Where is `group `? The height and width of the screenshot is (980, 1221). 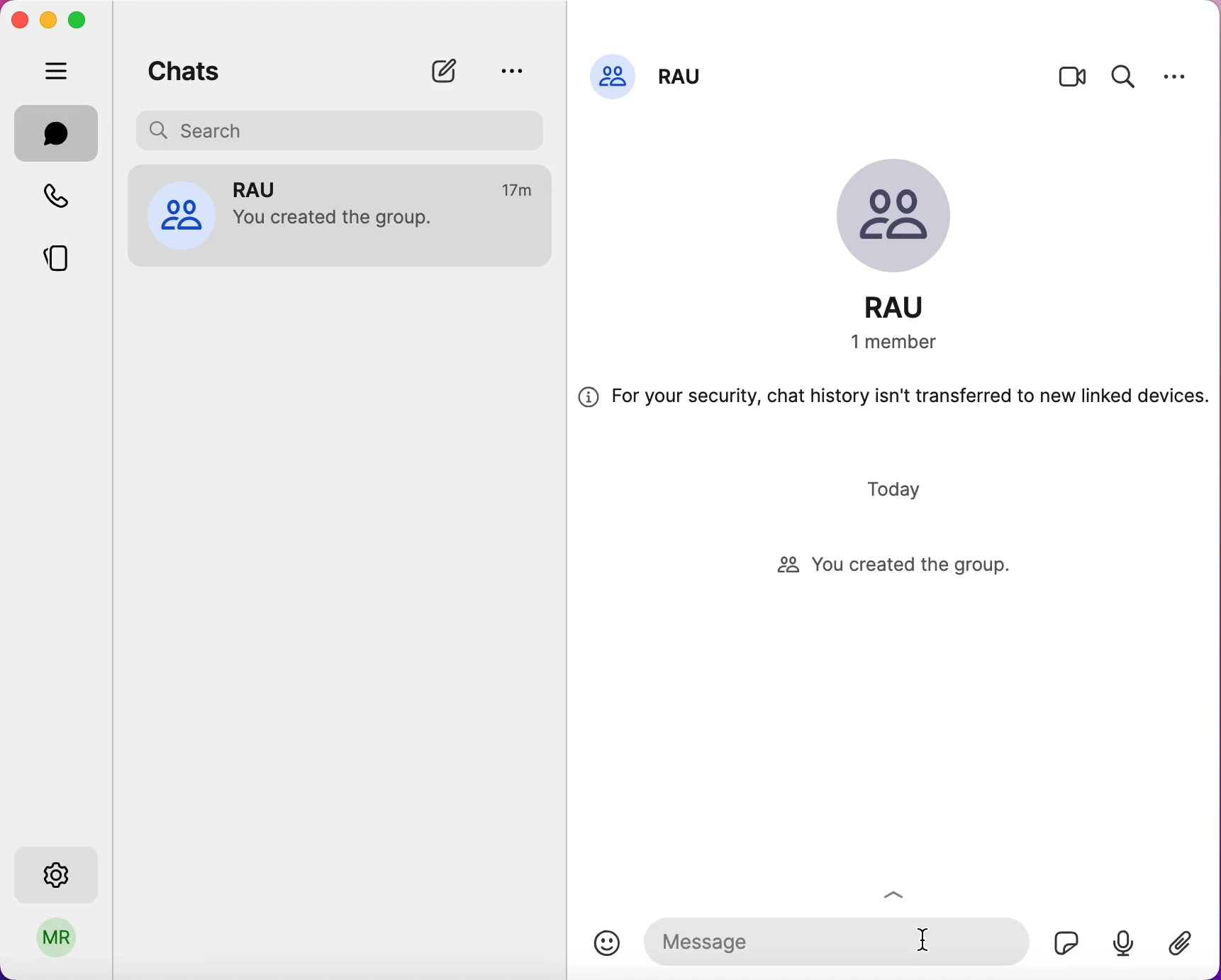 group  is located at coordinates (267, 188).